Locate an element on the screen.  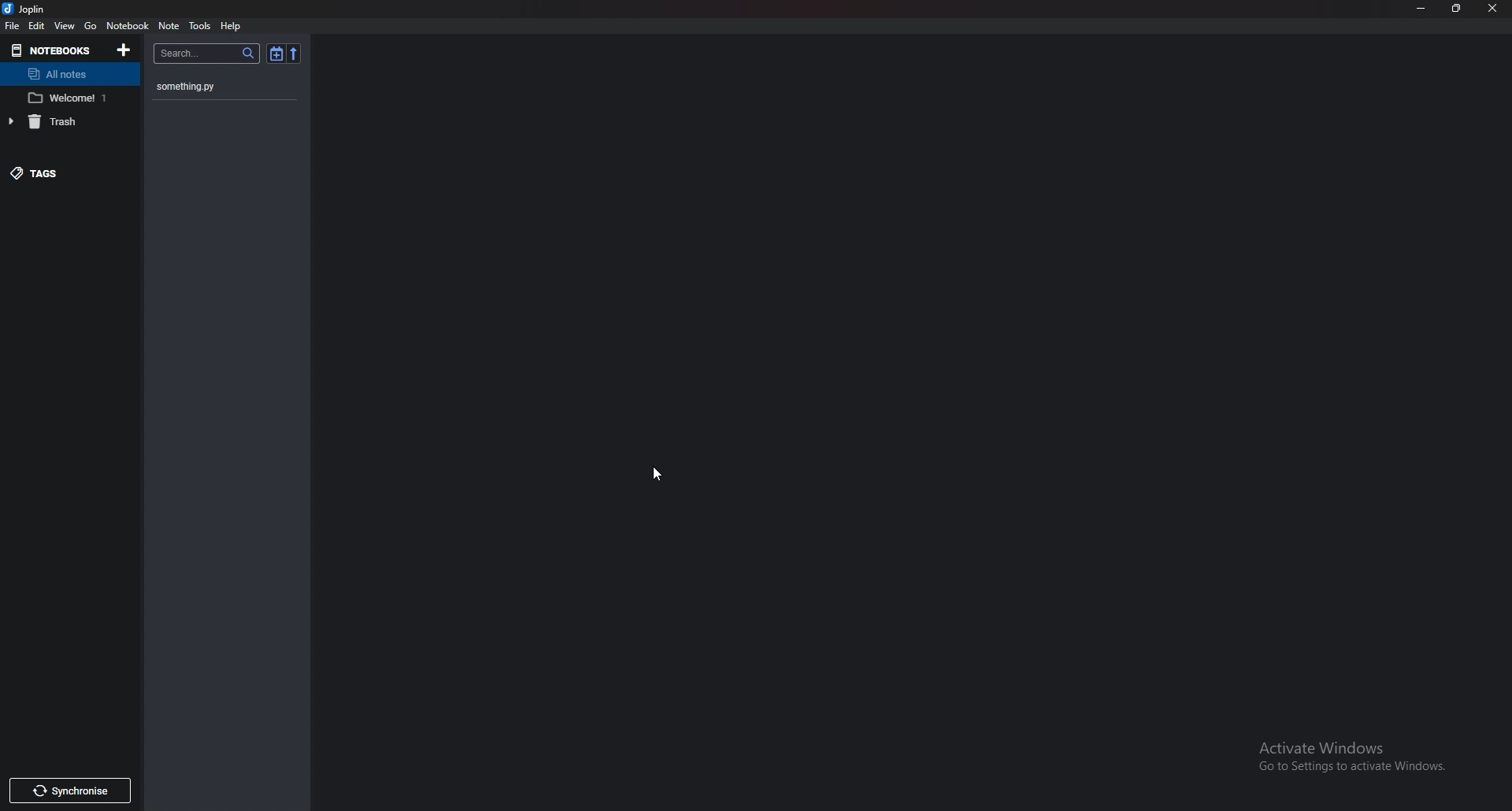
Resize is located at coordinates (1457, 8).